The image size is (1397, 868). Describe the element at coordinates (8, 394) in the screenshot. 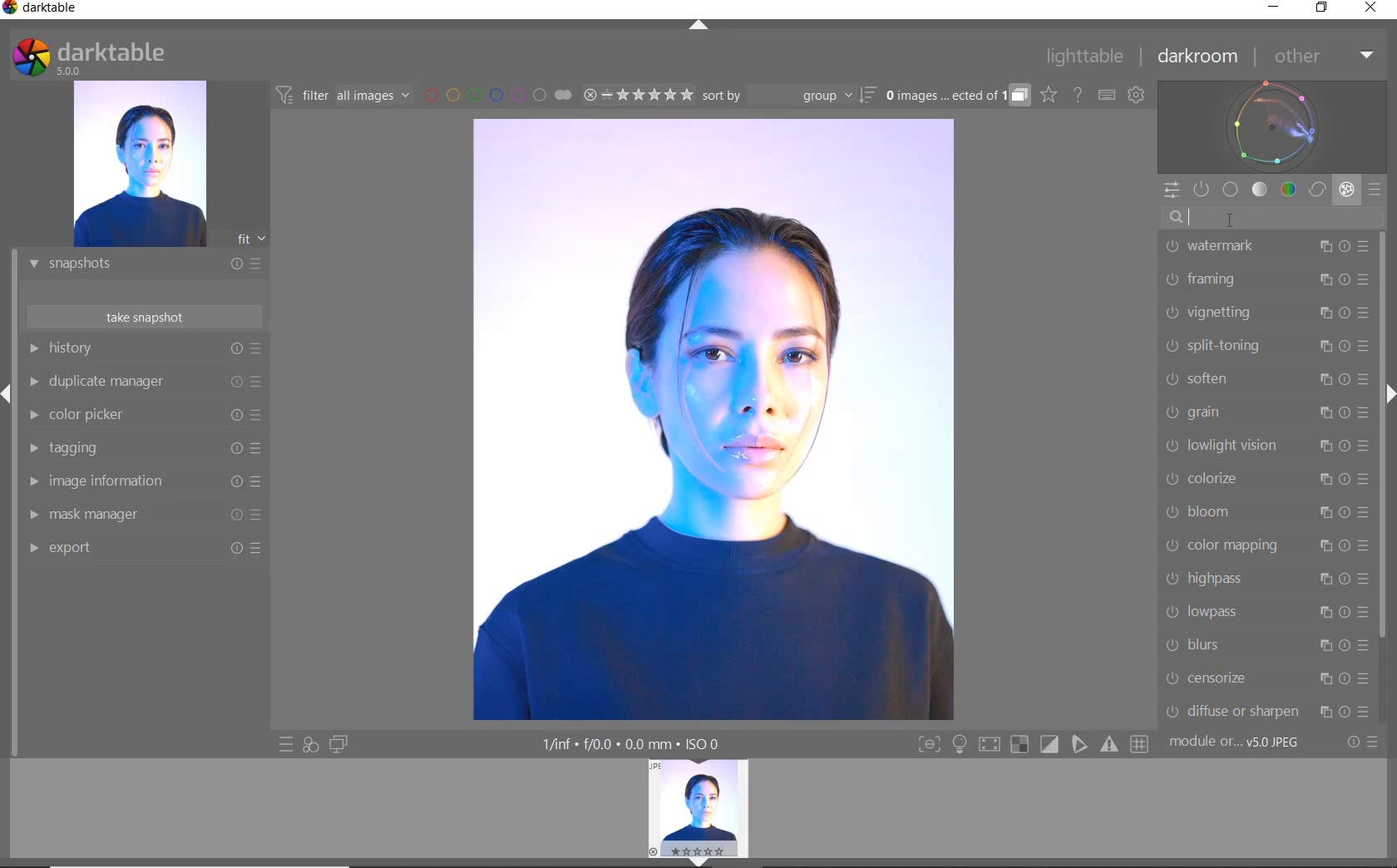

I see `Expand/Collapse` at that location.